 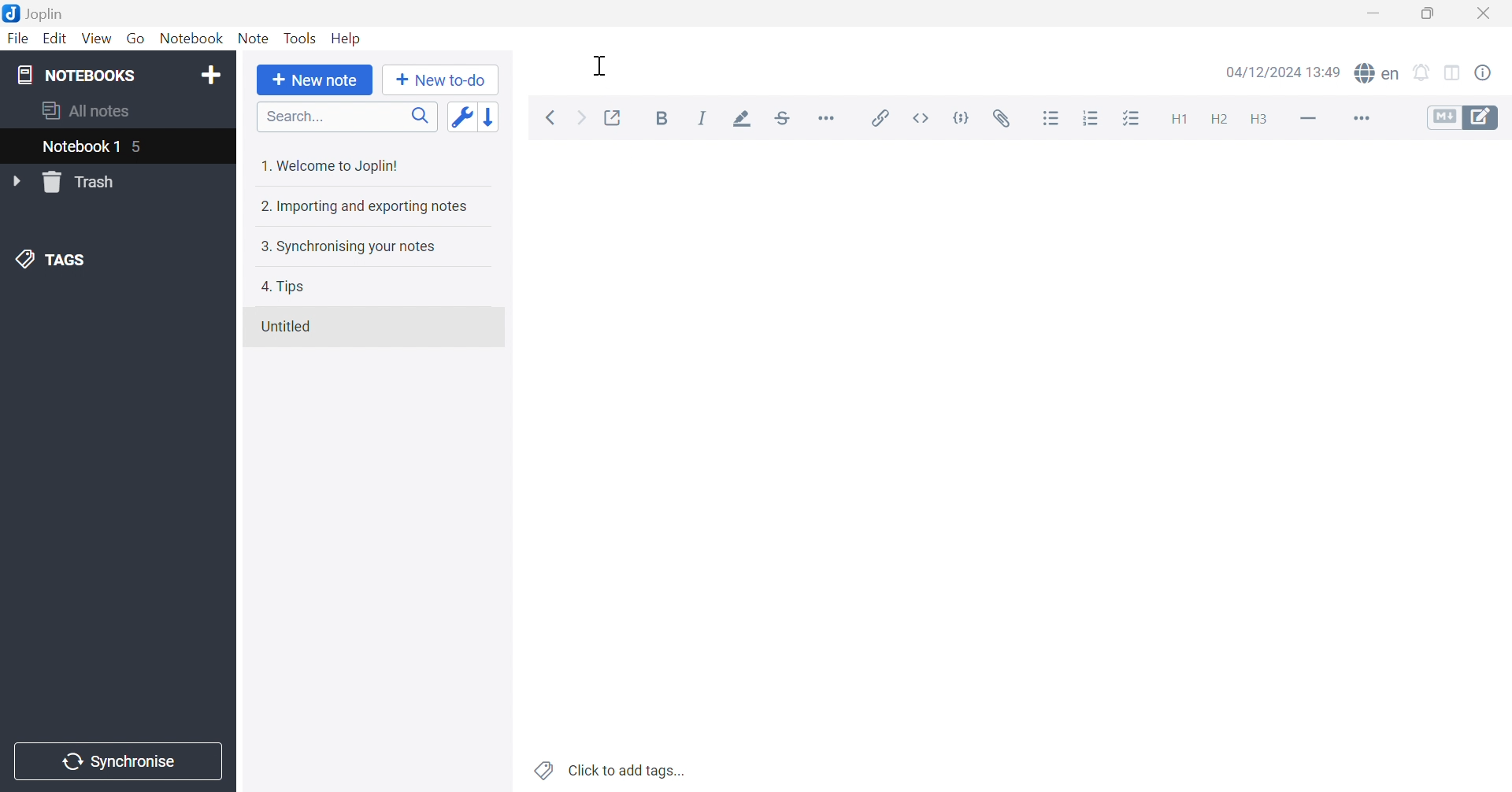 I want to click on Restore Down, so click(x=1425, y=12).